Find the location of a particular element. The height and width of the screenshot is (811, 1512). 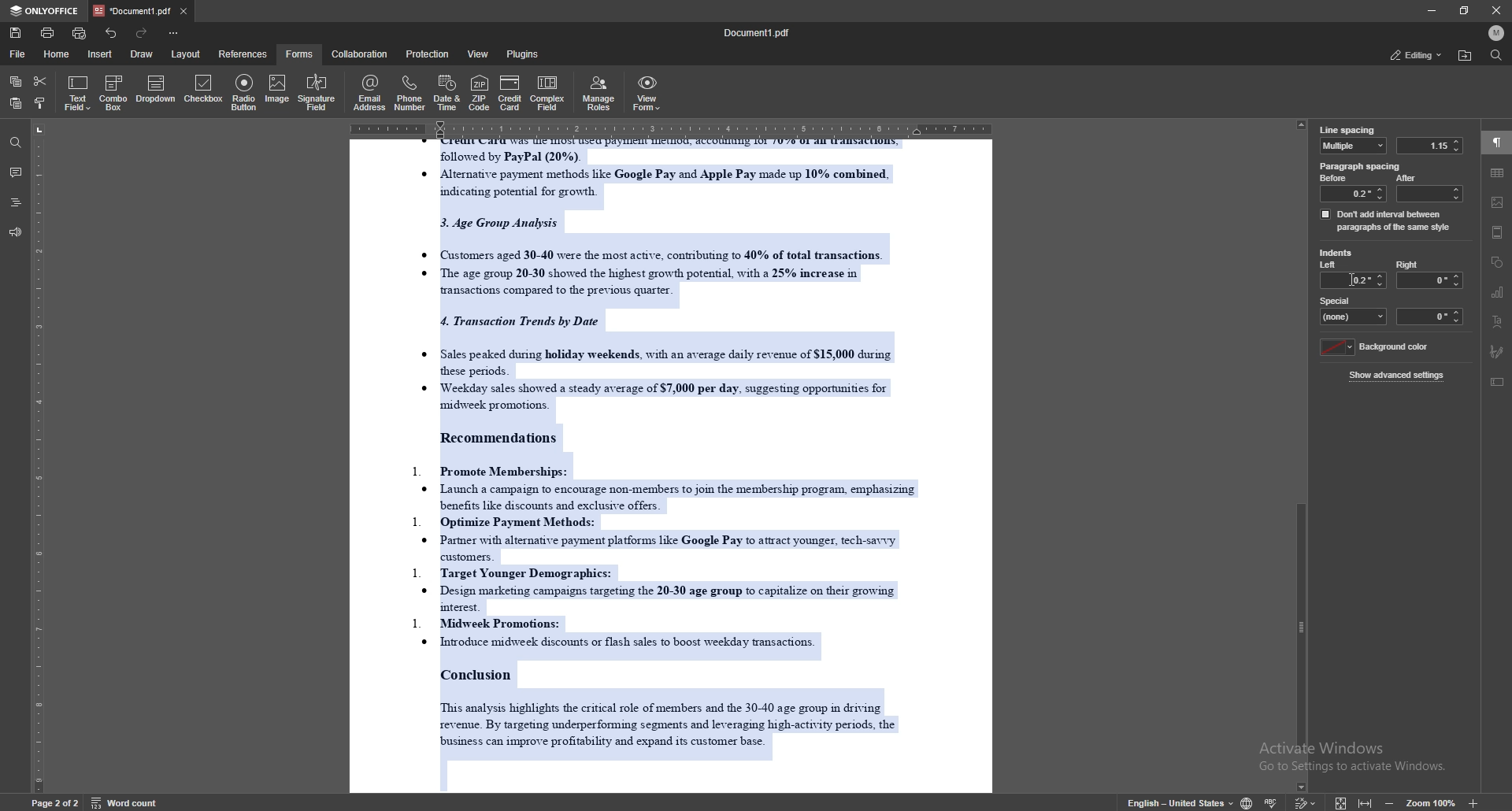

complex field is located at coordinates (550, 93).